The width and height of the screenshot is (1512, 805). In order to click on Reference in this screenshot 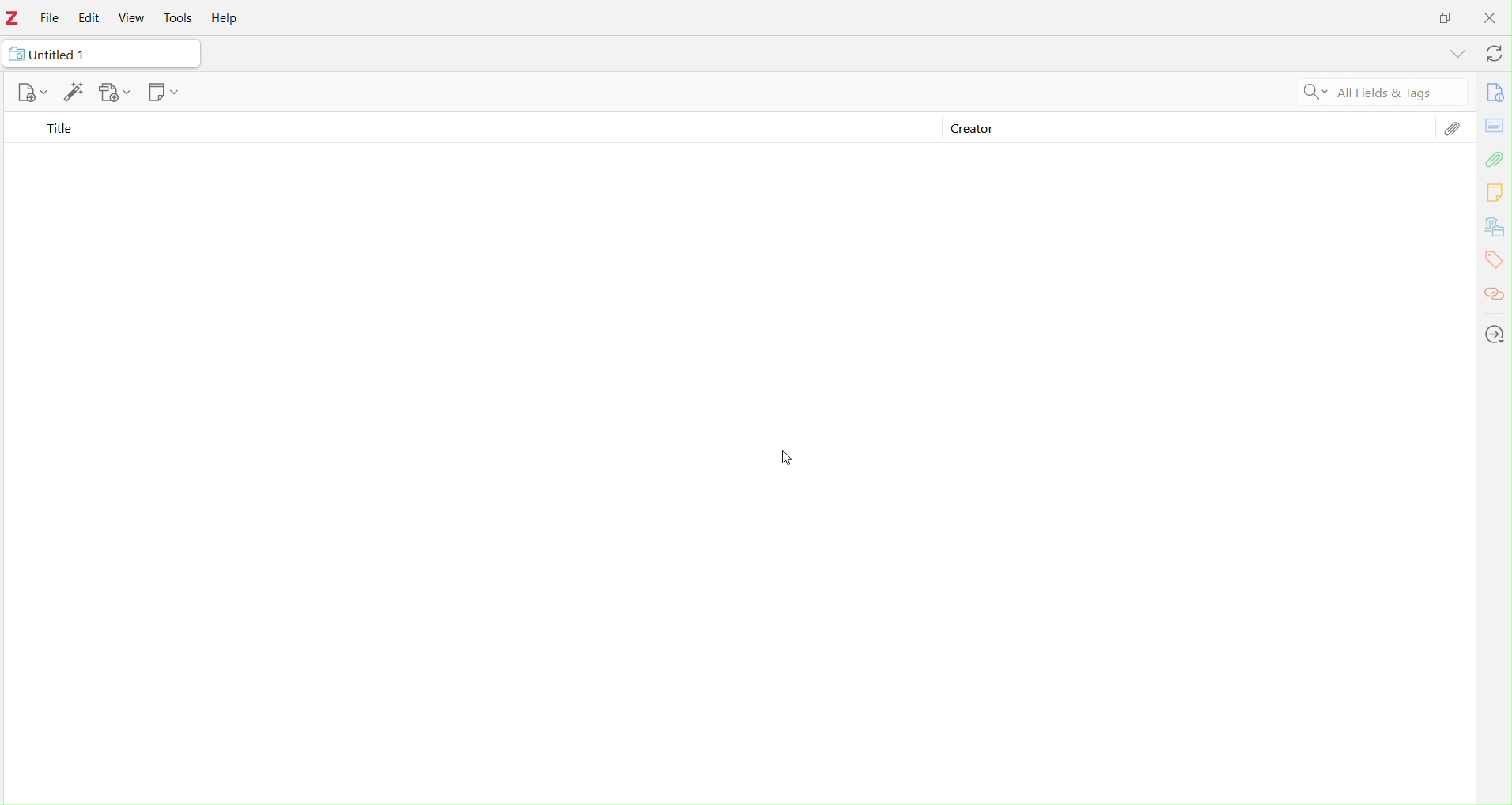, I will do `click(164, 93)`.